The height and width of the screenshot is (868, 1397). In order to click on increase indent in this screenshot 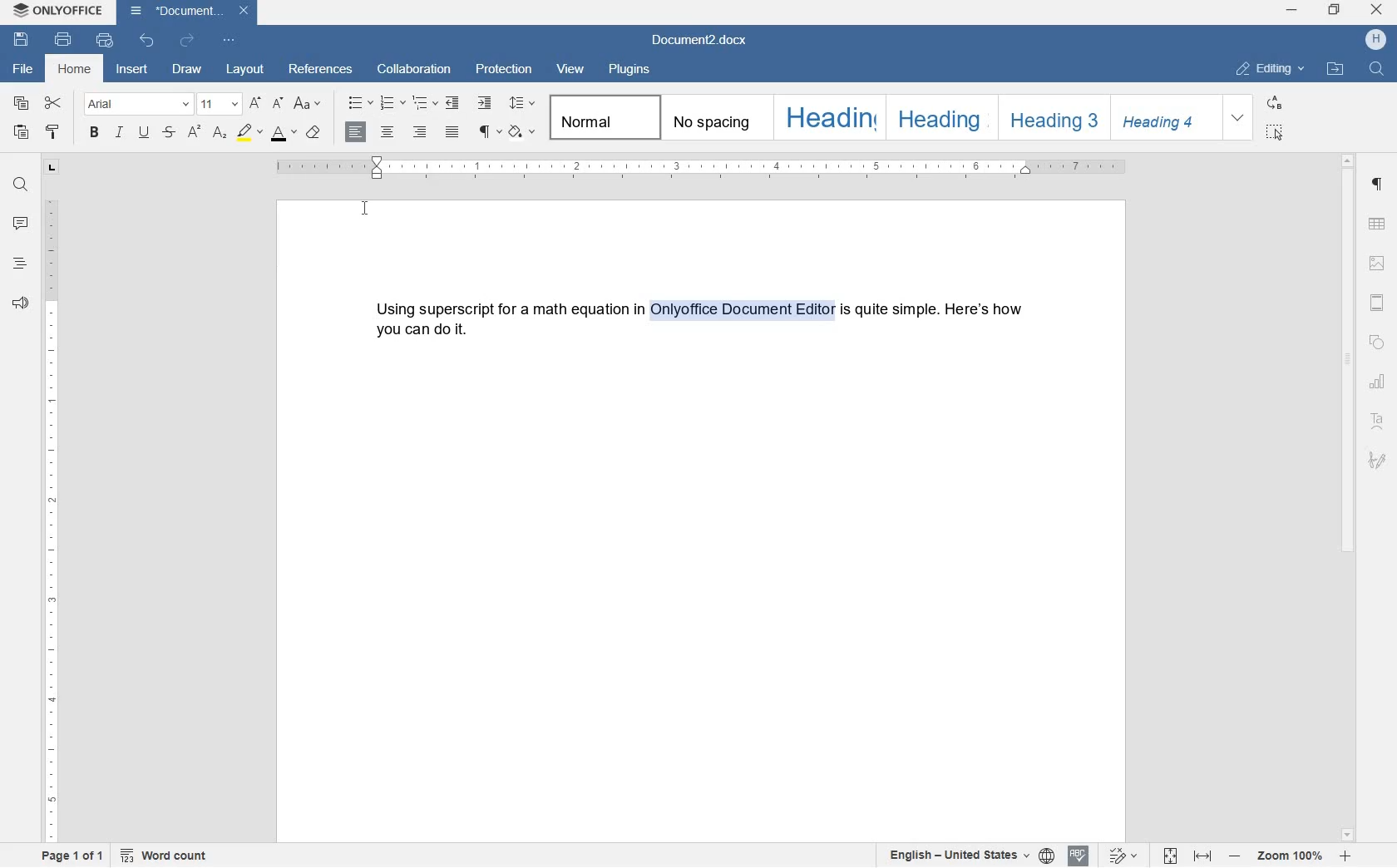, I will do `click(484, 103)`.